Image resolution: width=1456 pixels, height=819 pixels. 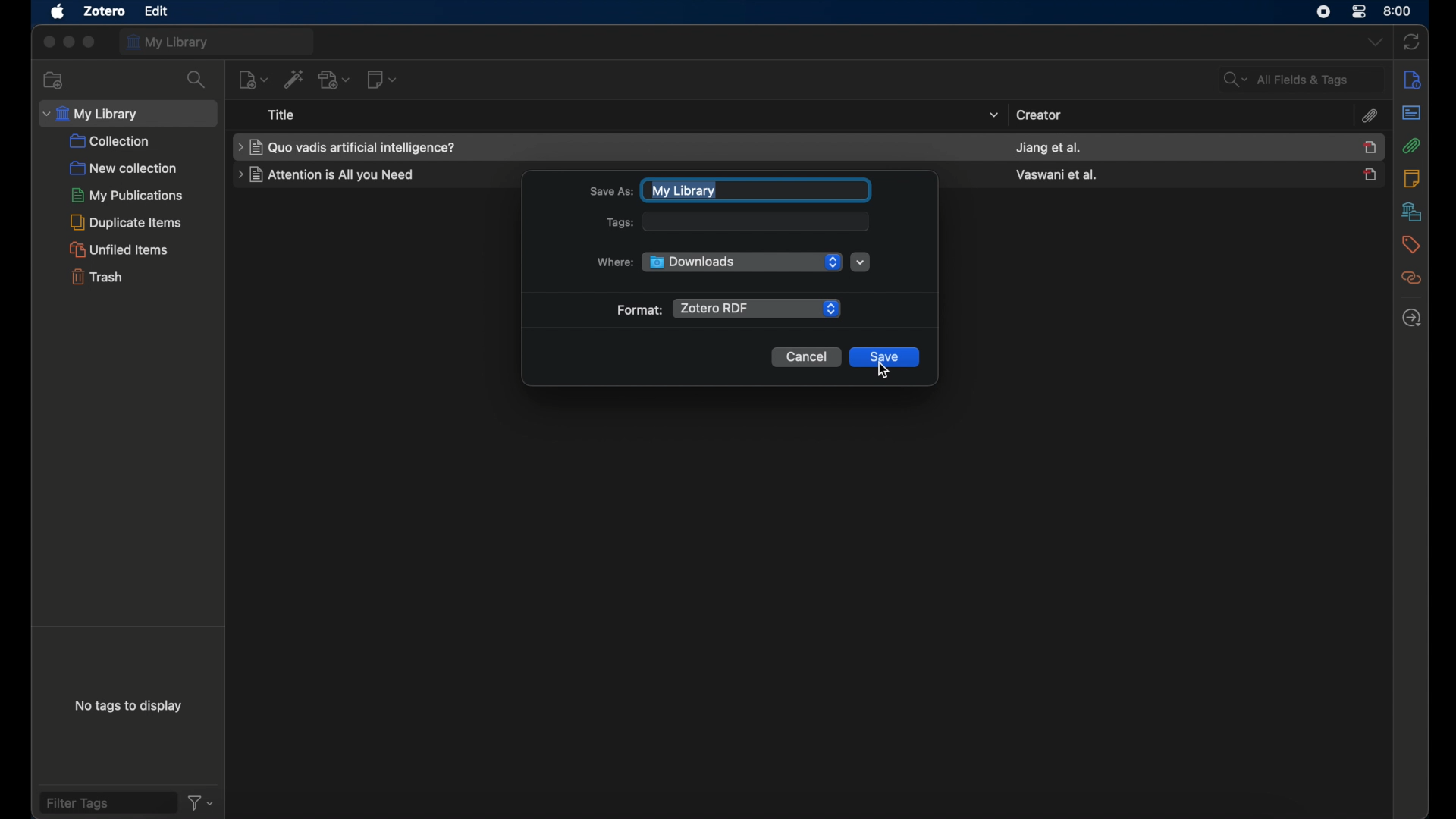 What do you see at coordinates (738, 221) in the screenshot?
I see `tags:` at bounding box center [738, 221].